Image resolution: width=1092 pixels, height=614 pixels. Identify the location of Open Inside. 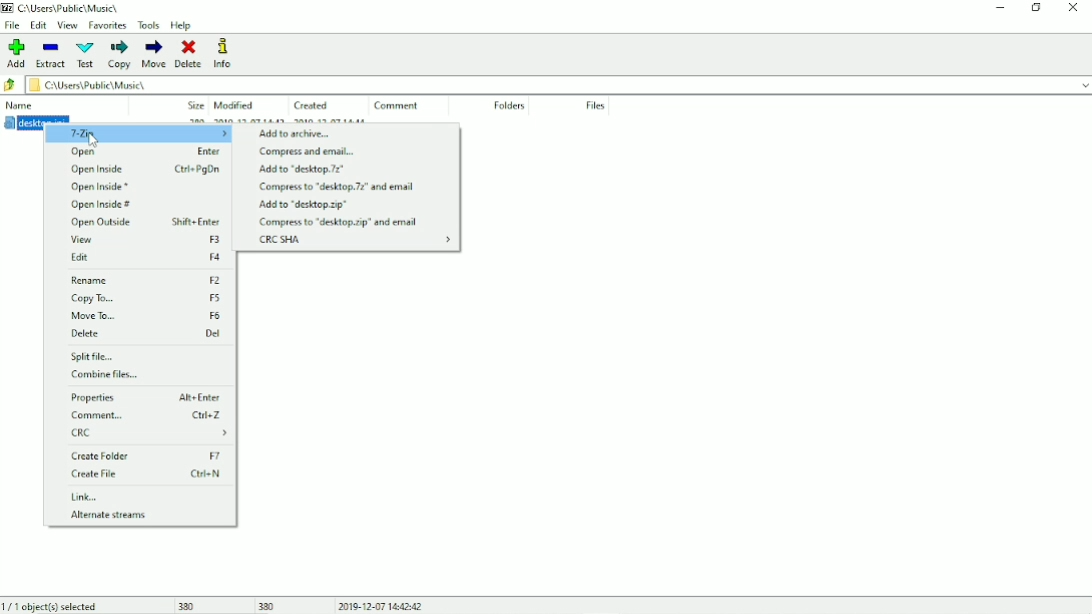
(145, 169).